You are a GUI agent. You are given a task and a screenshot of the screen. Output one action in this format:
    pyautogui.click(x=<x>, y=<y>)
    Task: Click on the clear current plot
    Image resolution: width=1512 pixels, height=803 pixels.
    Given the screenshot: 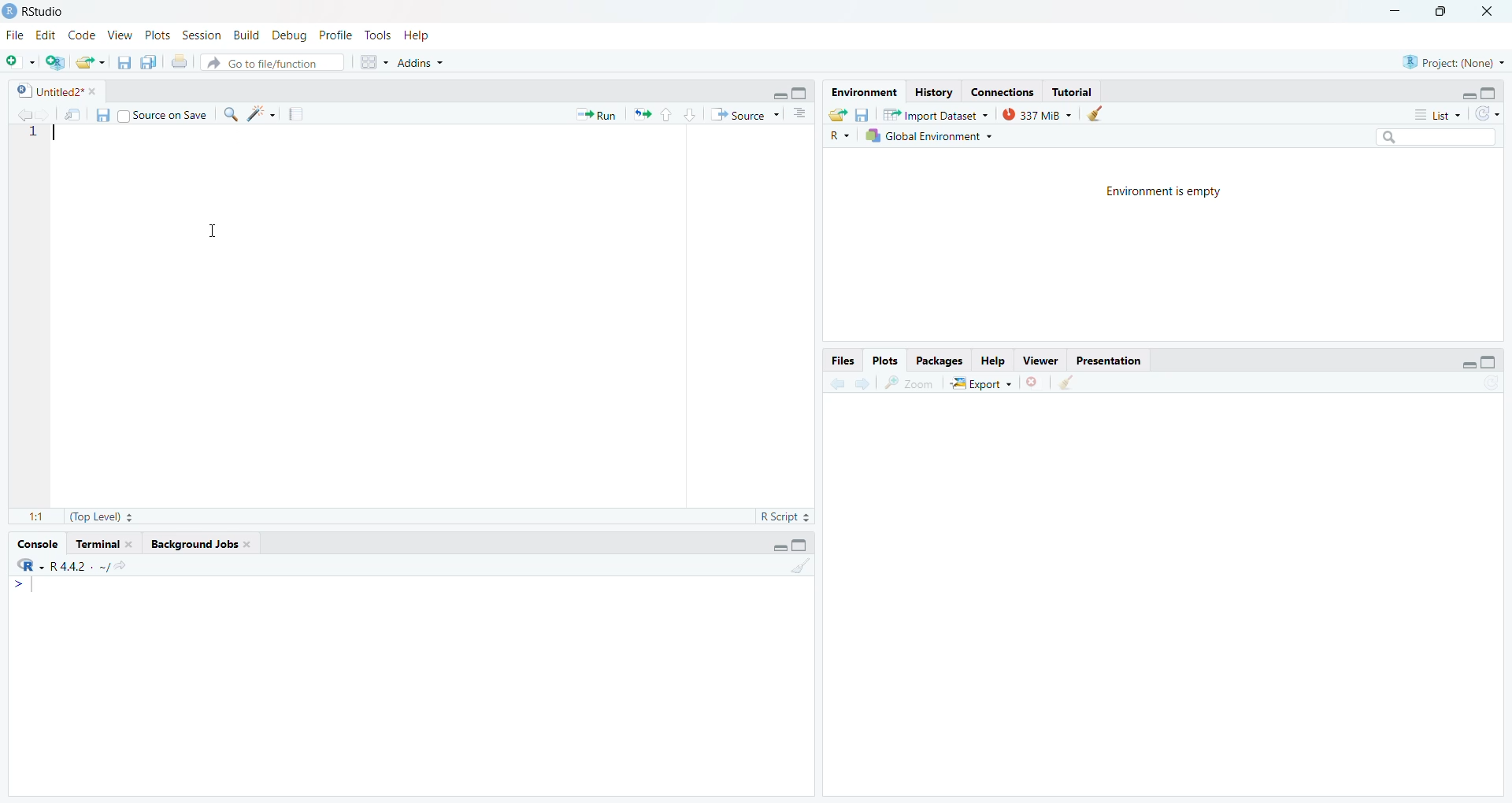 What is the action you would take?
    pyautogui.click(x=1036, y=383)
    